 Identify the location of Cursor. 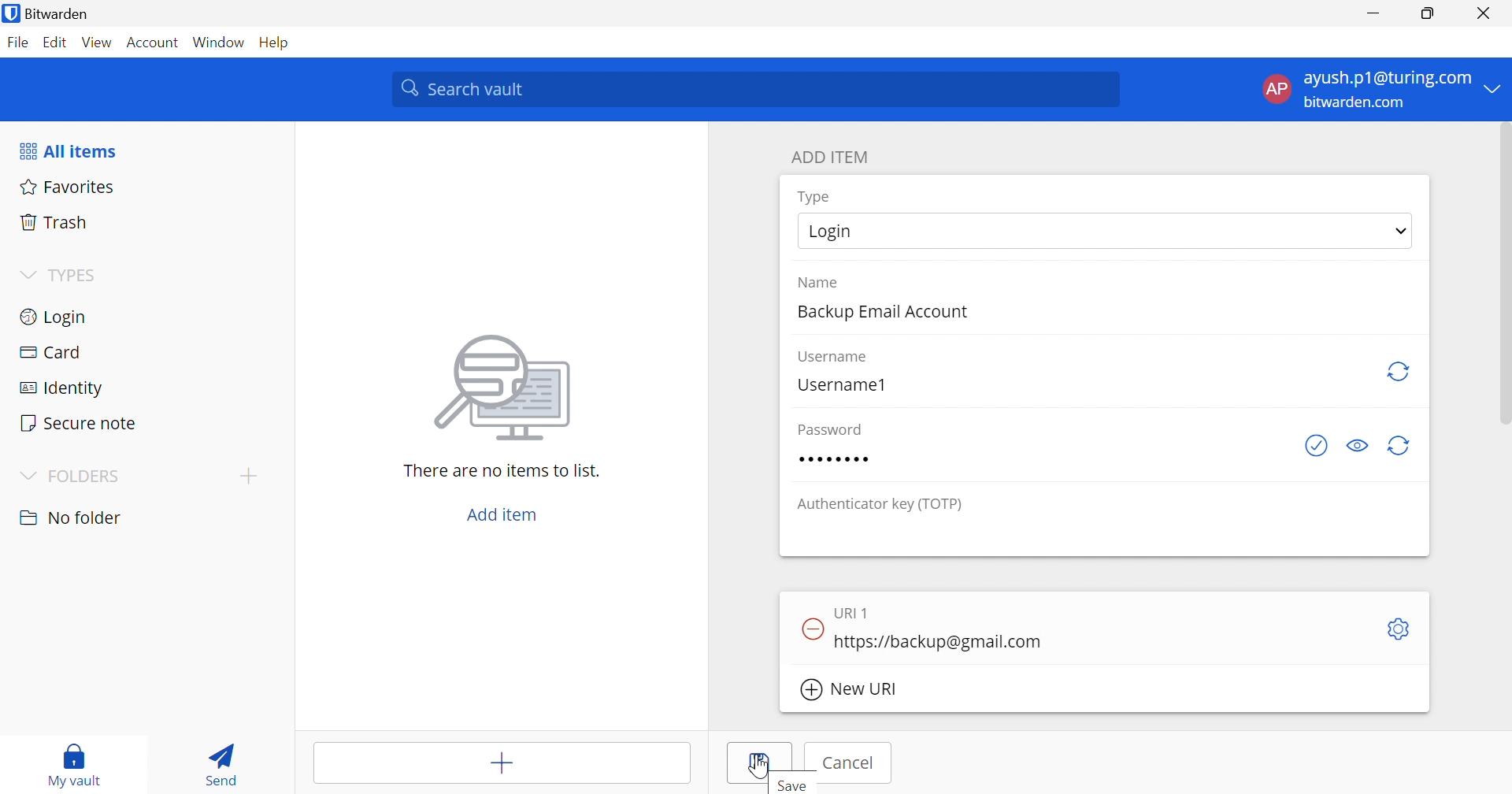
(1077, 640).